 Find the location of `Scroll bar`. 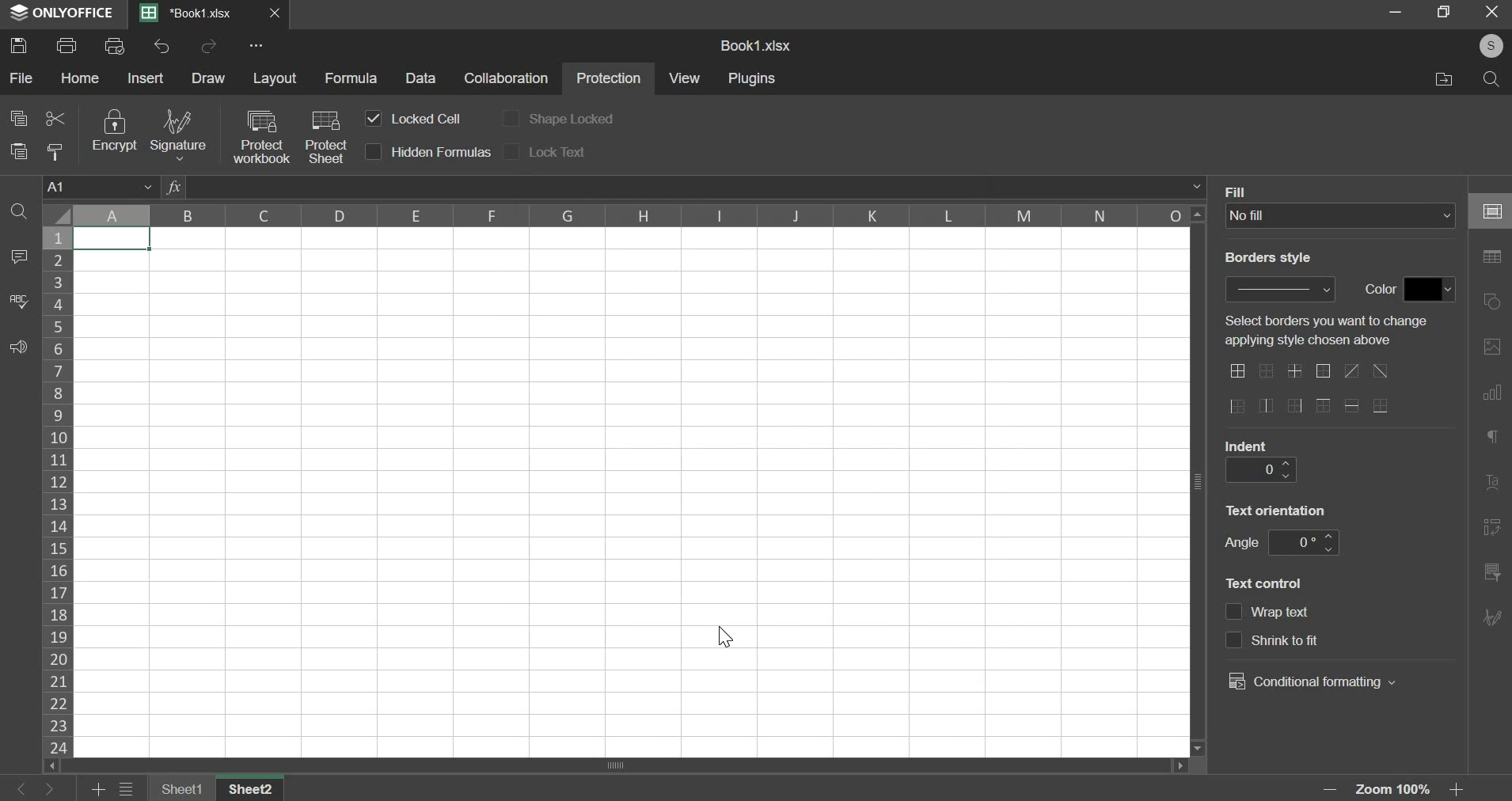

Scroll bar is located at coordinates (1199, 481).